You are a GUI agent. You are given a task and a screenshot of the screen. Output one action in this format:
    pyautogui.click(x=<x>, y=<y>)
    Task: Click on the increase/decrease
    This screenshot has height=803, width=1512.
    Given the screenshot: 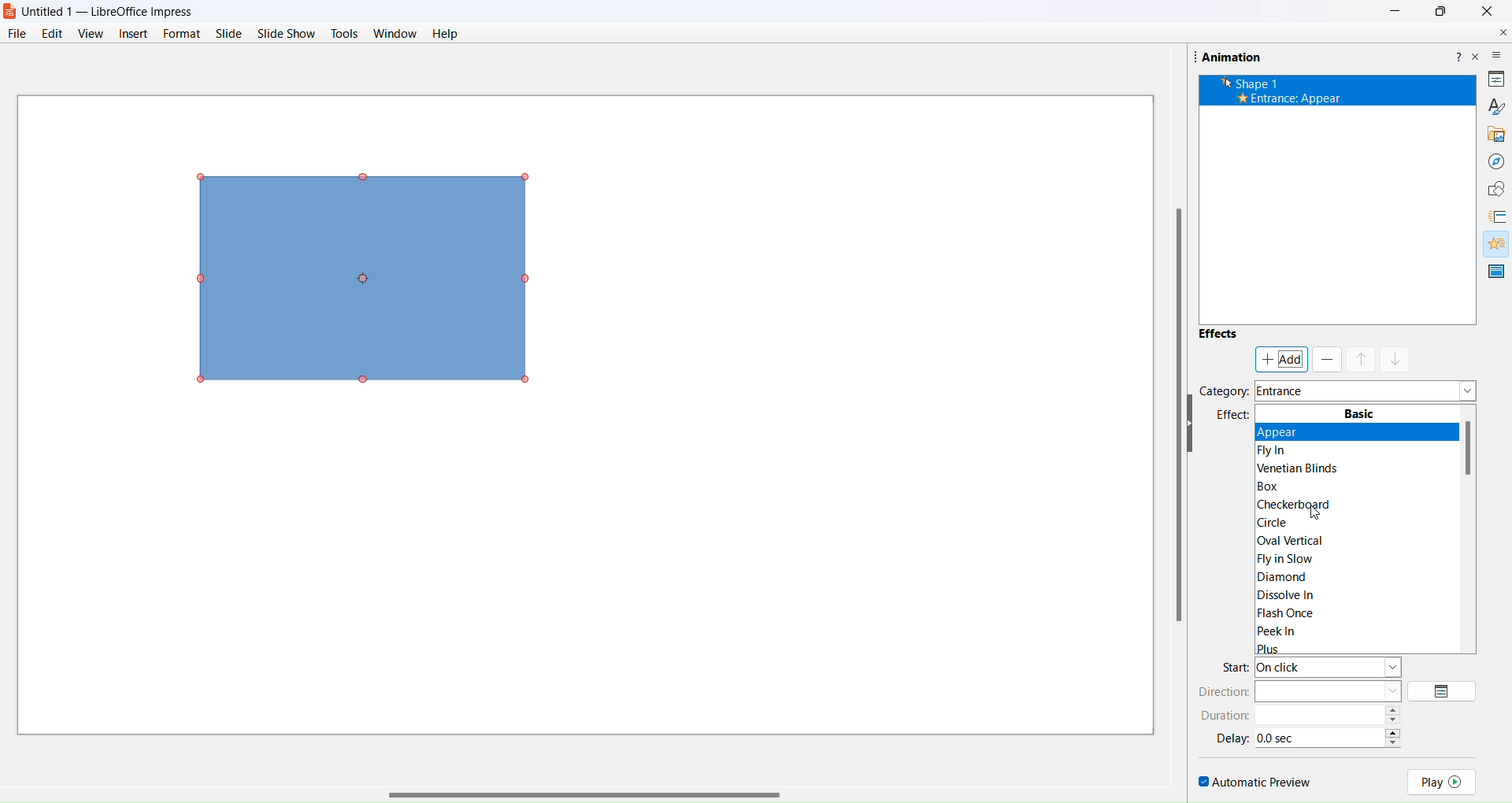 What is the action you would take?
    pyautogui.click(x=1395, y=735)
    